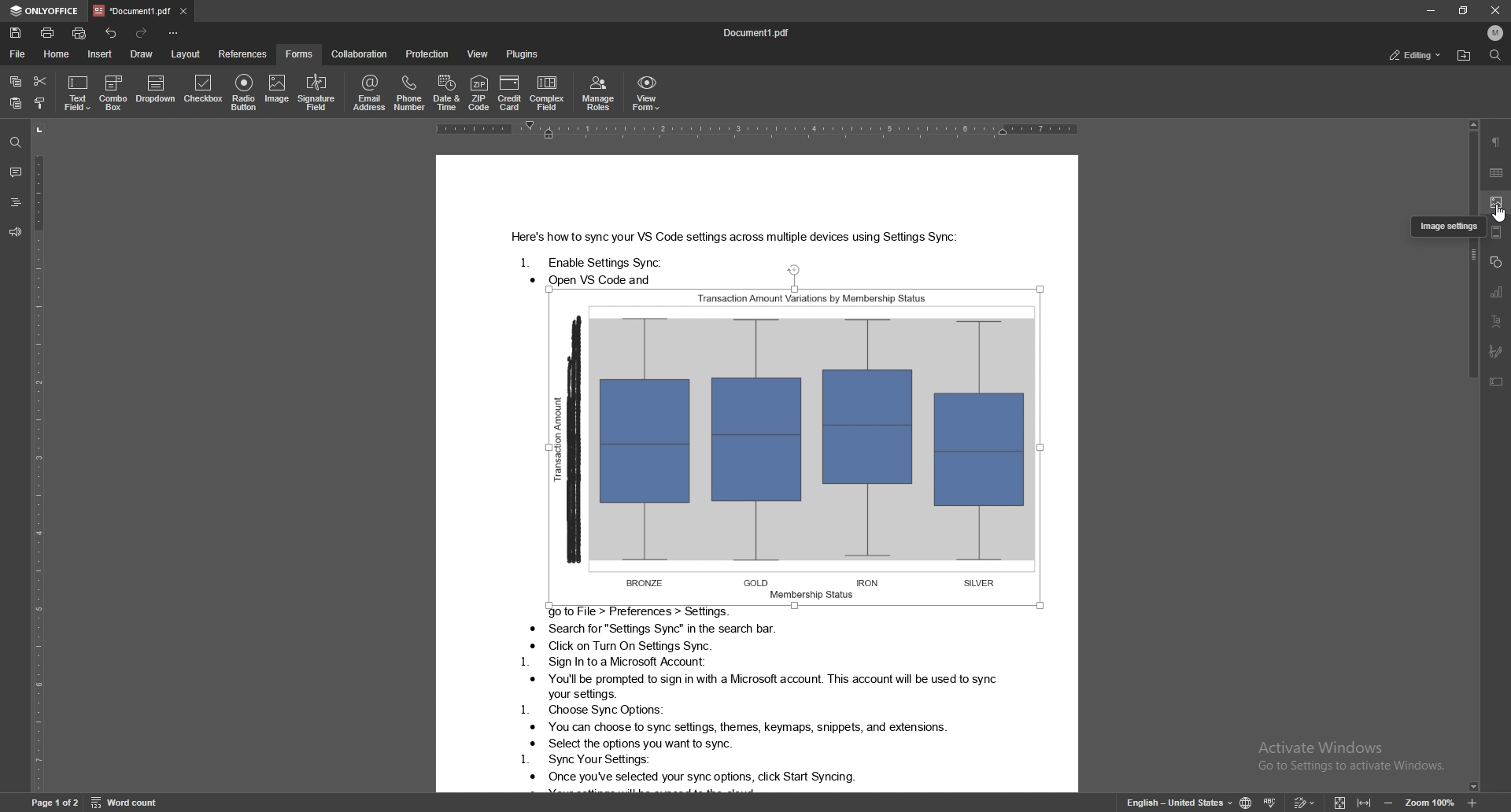 This screenshot has width=1511, height=812. What do you see at coordinates (524, 53) in the screenshot?
I see `plugins` at bounding box center [524, 53].